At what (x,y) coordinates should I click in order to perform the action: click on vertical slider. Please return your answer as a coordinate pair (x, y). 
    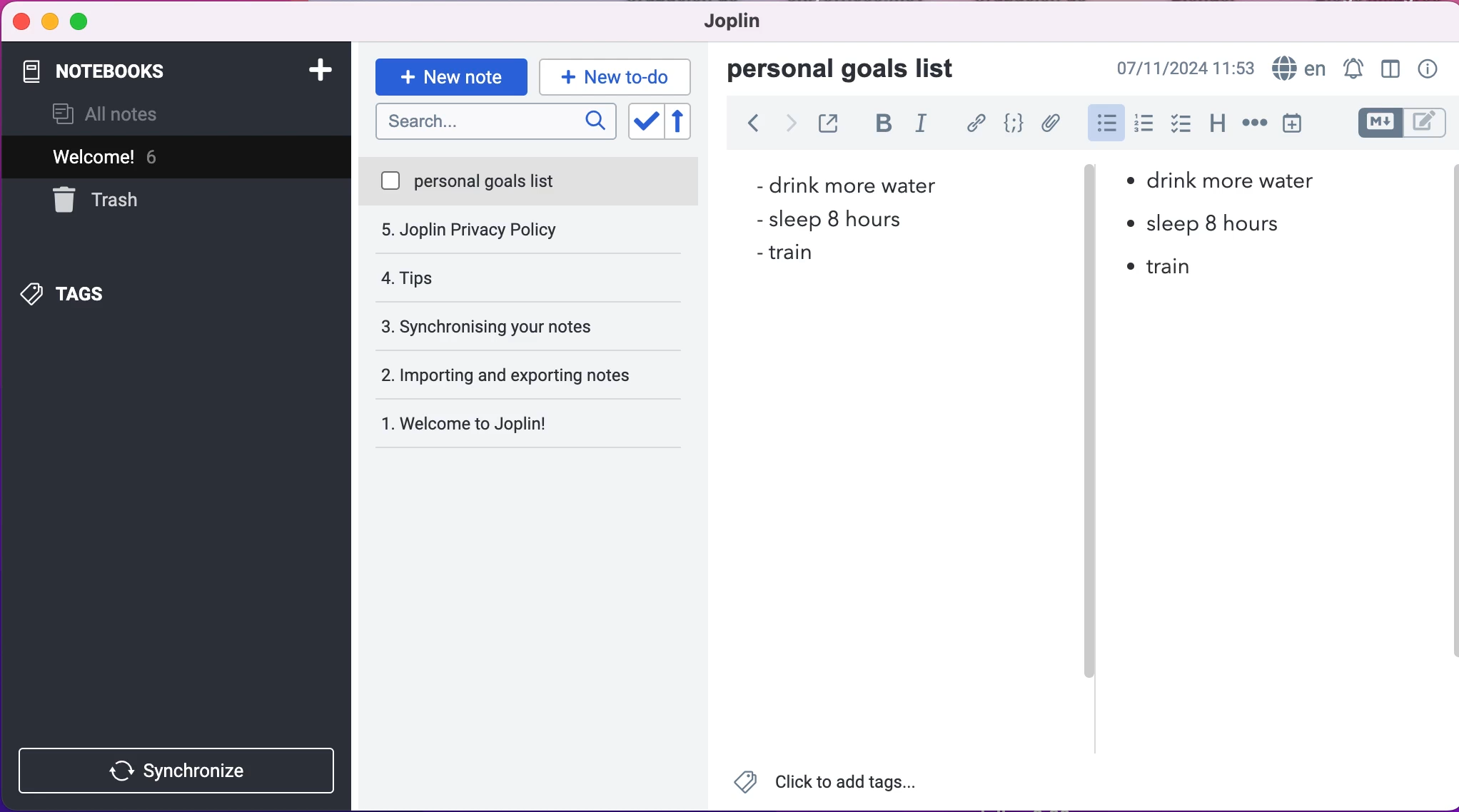
    Looking at the image, I should click on (1089, 214).